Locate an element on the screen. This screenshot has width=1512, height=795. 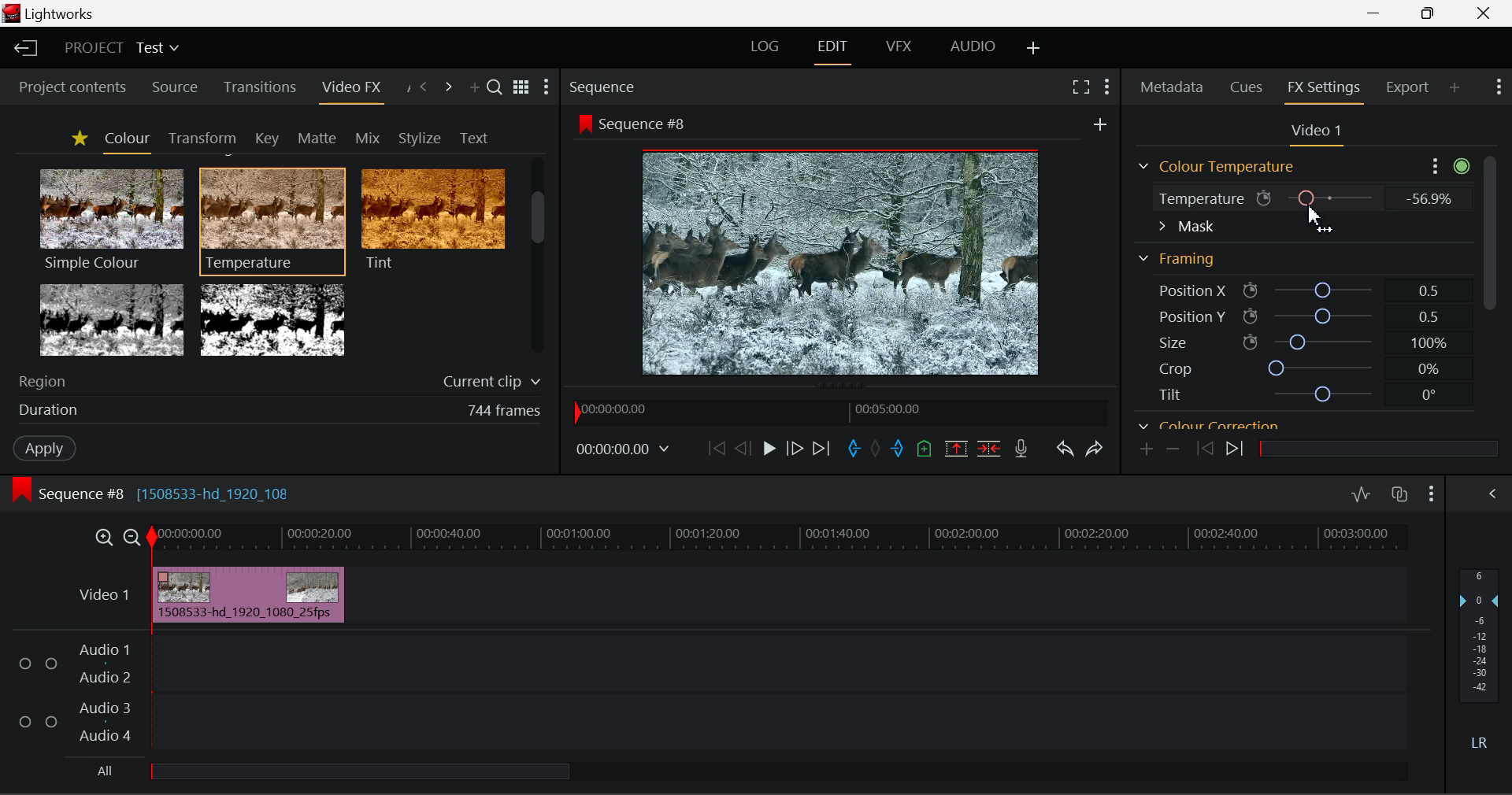
Undo is located at coordinates (1063, 448).